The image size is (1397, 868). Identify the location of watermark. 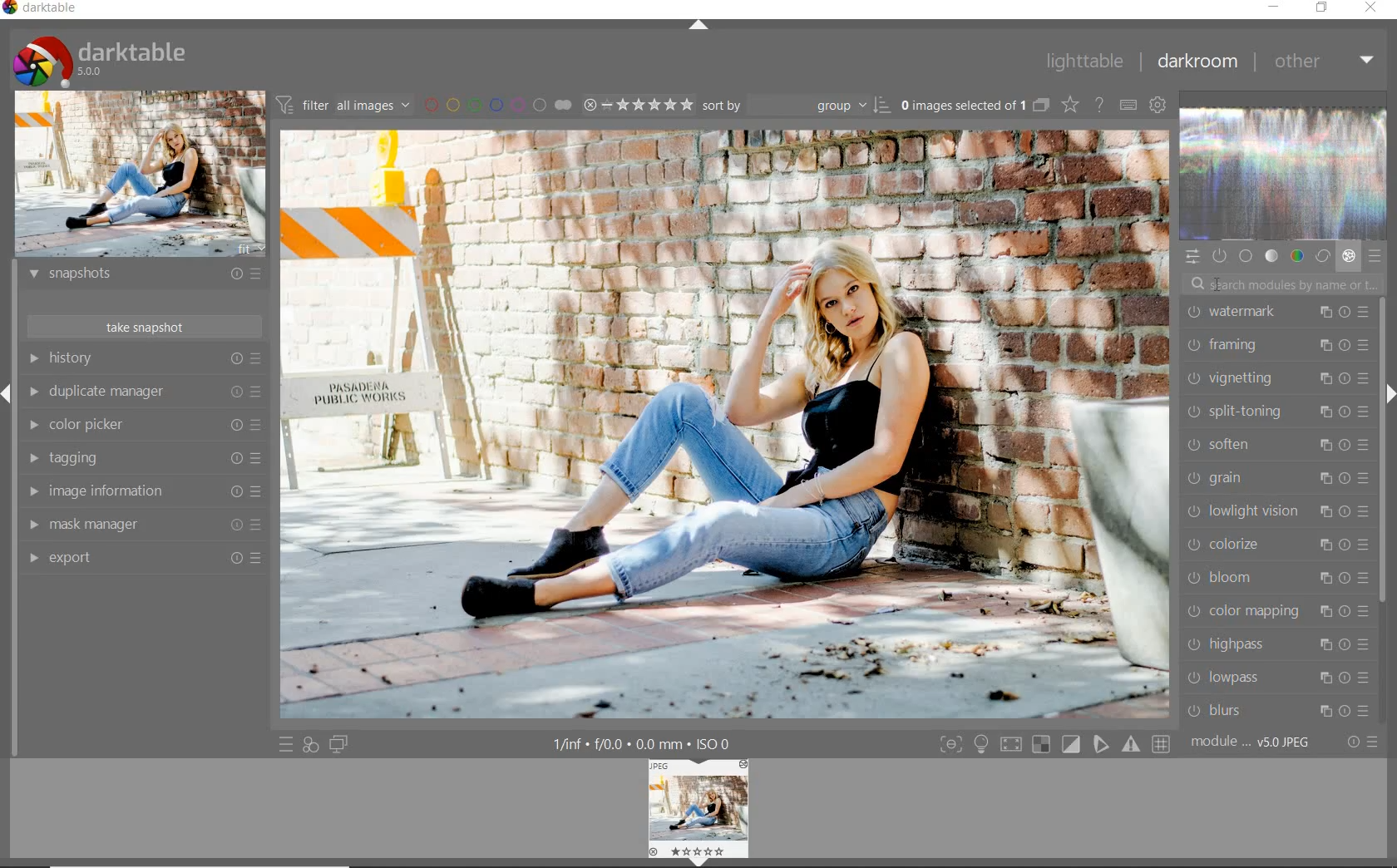
(1278, 314).